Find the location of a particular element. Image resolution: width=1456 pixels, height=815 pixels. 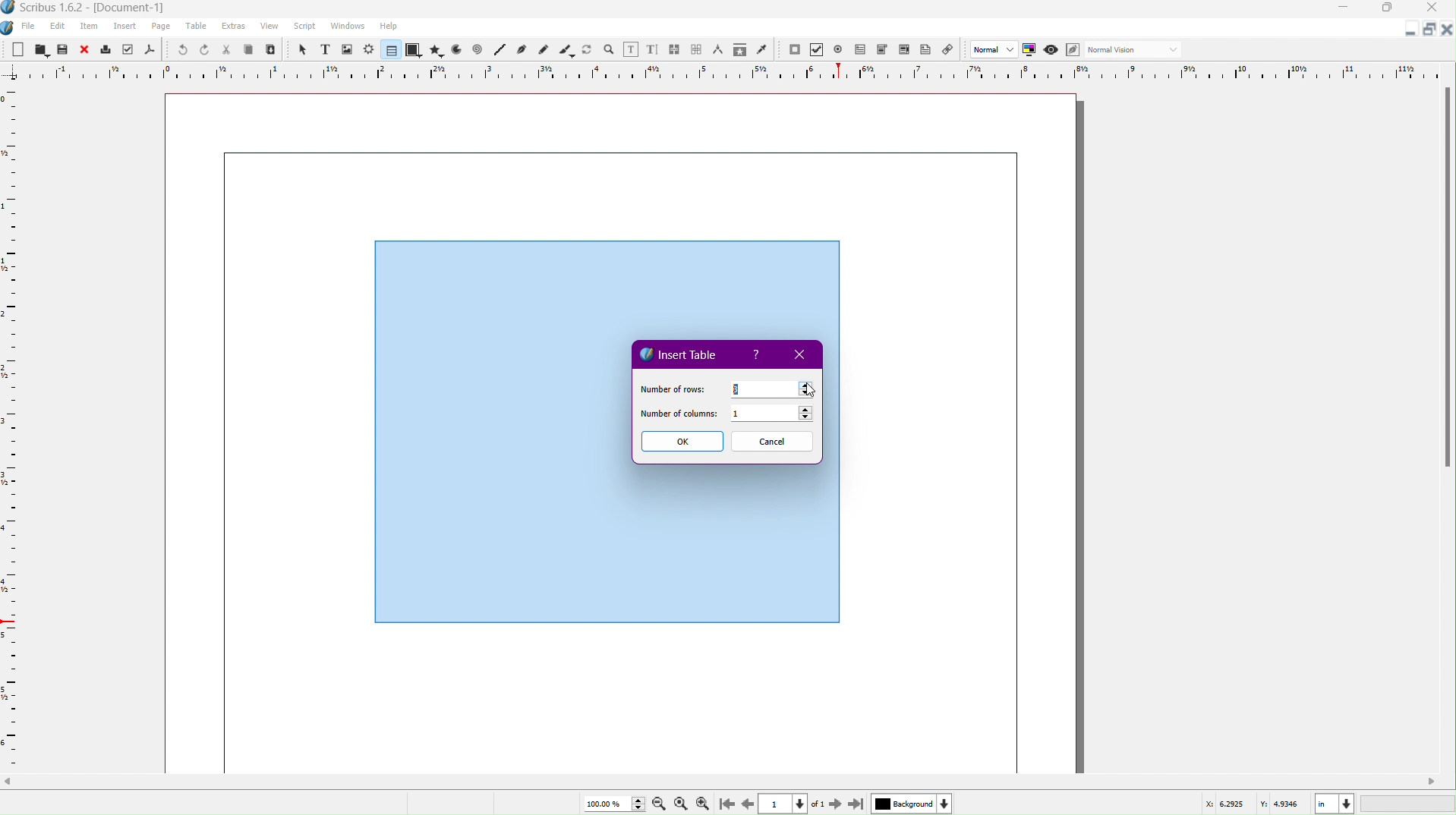

Preview Mode is located at coordinates (1053, 51).